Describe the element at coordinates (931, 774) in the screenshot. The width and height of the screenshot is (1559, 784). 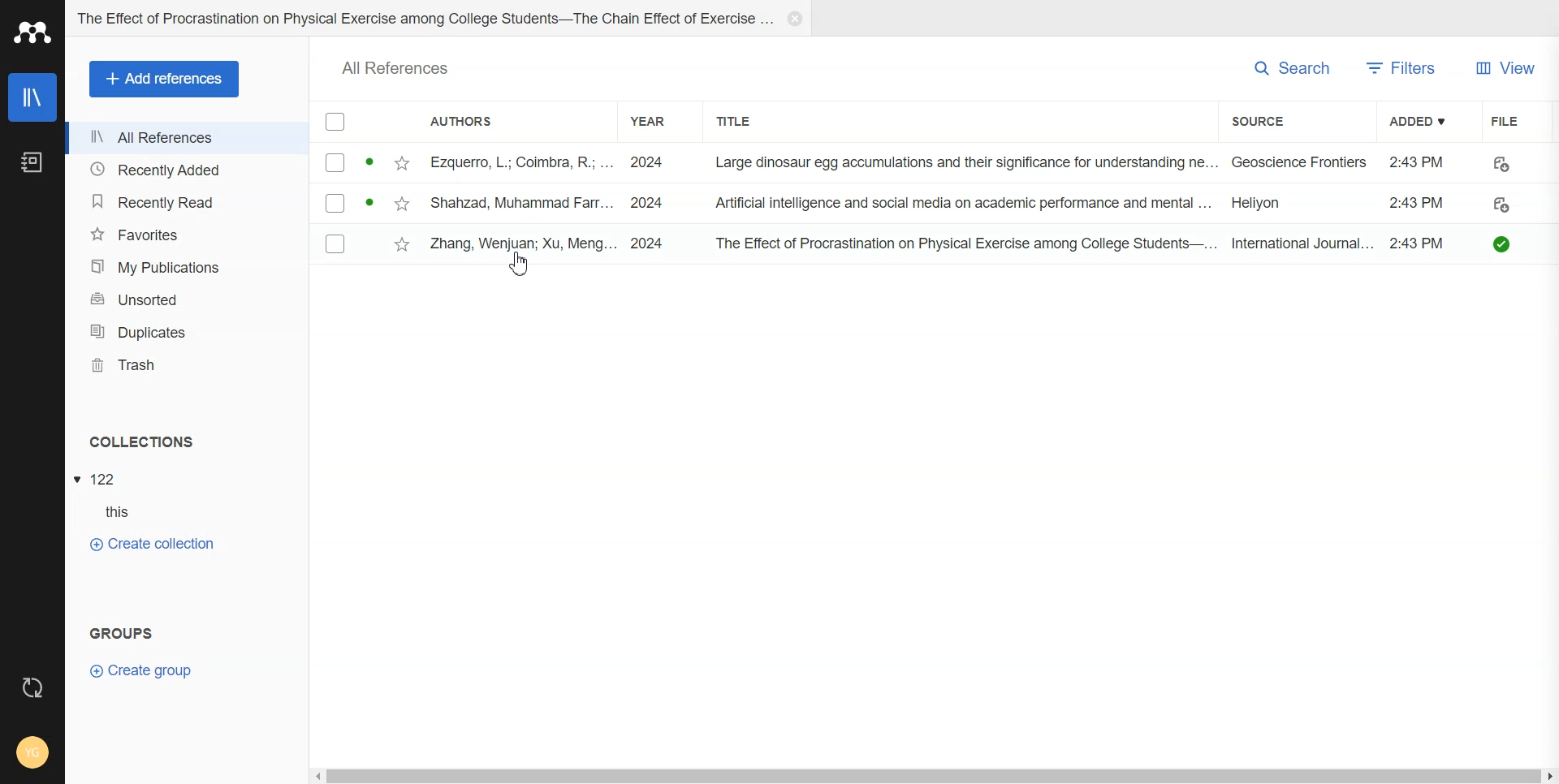
I see `Horizontal scroll bar` at that location.